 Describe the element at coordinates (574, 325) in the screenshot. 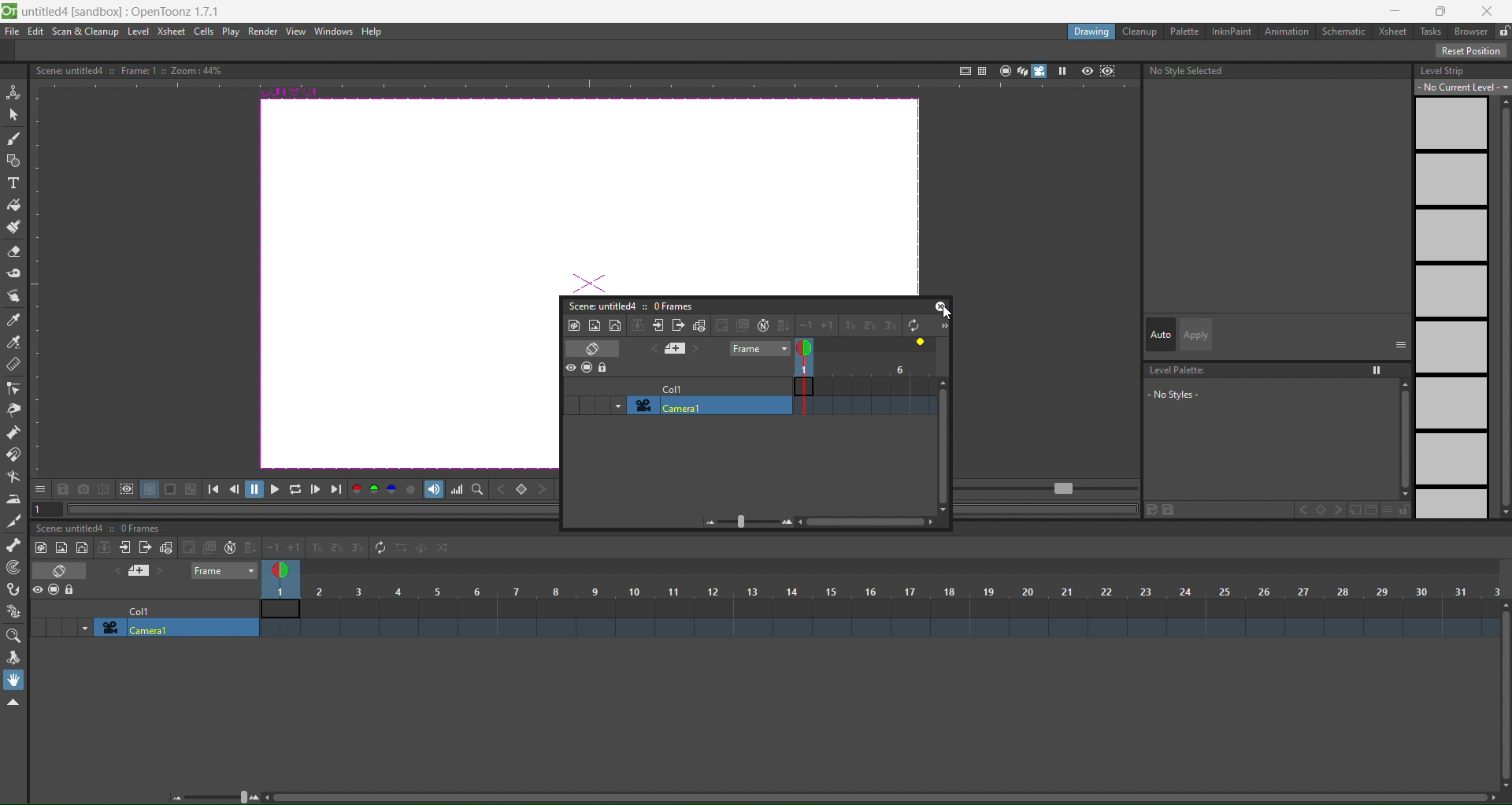

I see `new toonz raster level` at that location.